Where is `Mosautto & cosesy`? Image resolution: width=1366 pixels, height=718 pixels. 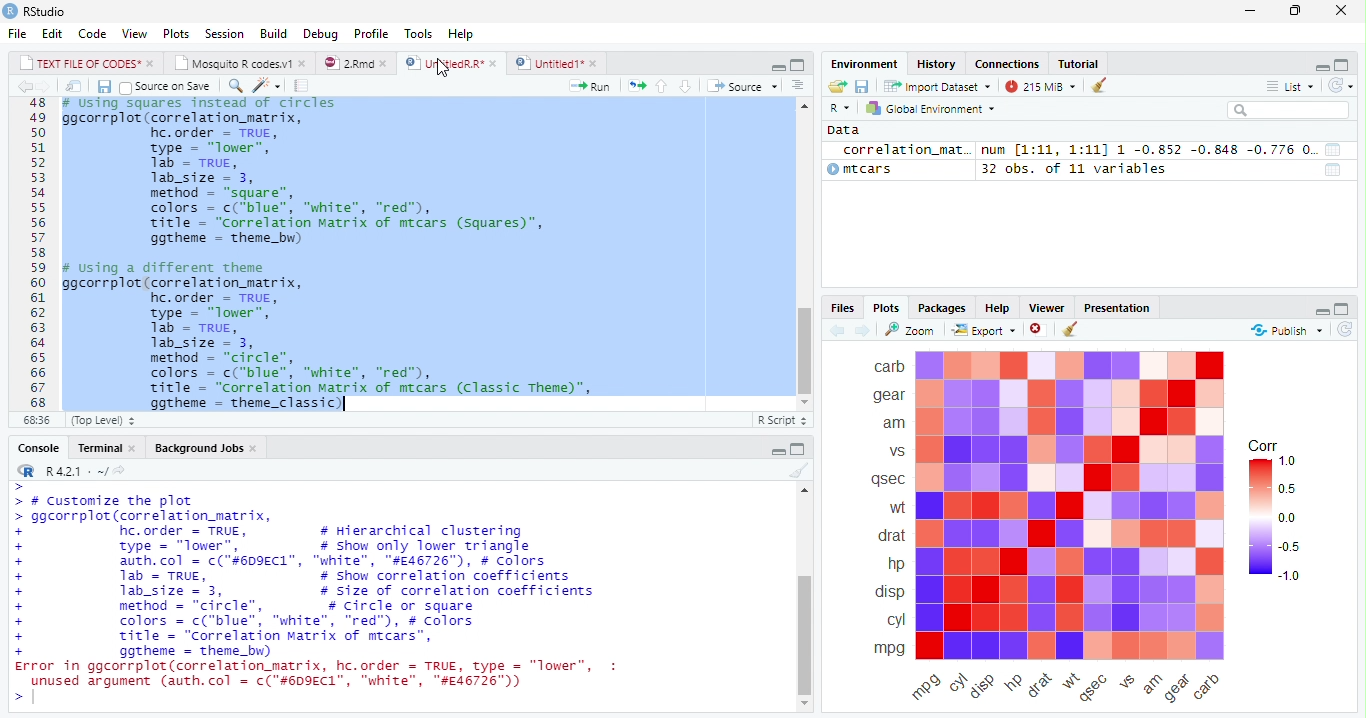
Mosautto & cosesy is located at coordinates (244, 64).